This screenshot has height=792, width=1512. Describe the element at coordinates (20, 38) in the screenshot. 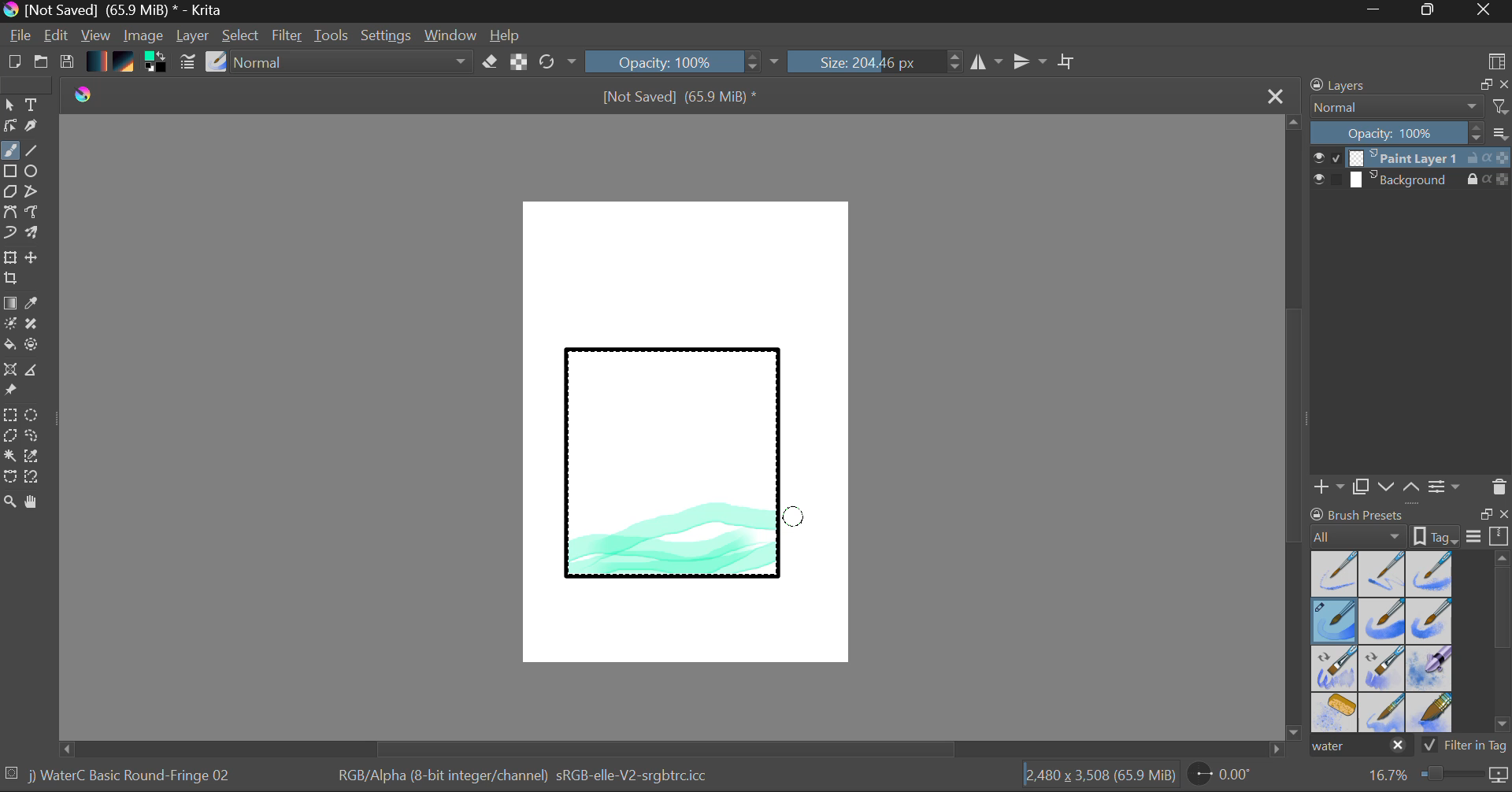

I see `File` at that location.